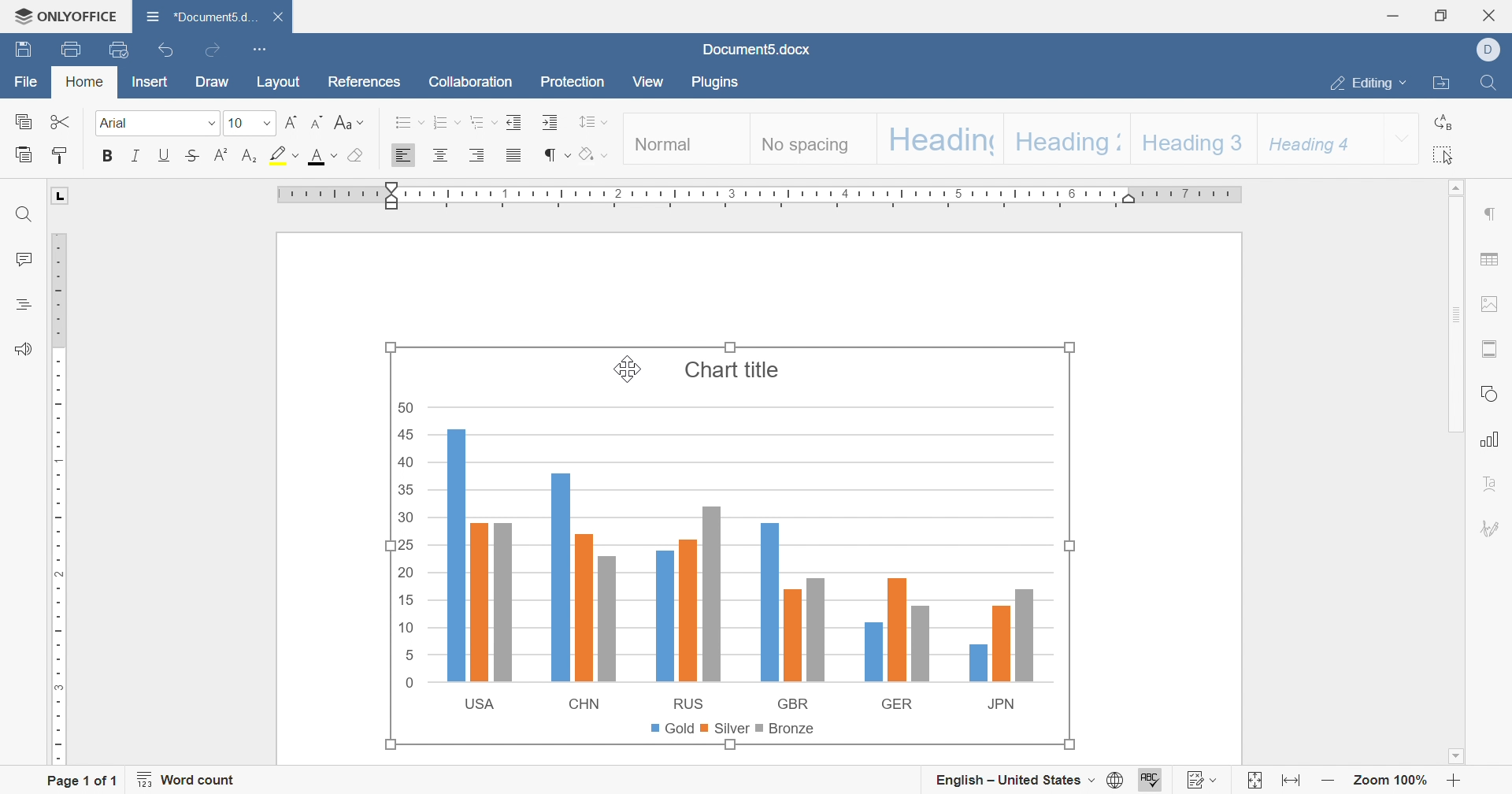  What do you see at coordinates (61, 121) in the screenshot?
I see `Cut` at bounding box center [61, 121].